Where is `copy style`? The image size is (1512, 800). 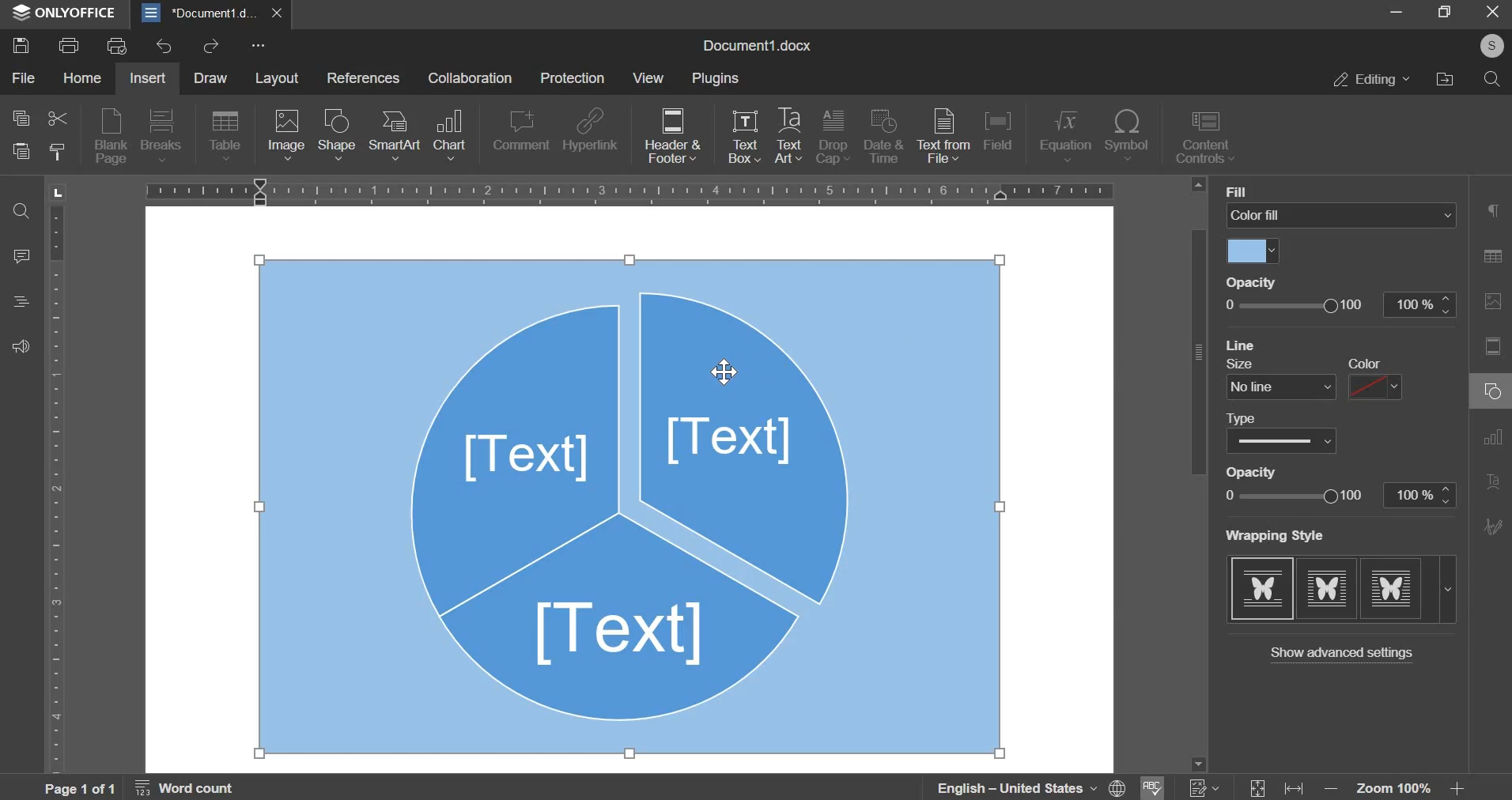
copy style is located at coordinates (60, 156).